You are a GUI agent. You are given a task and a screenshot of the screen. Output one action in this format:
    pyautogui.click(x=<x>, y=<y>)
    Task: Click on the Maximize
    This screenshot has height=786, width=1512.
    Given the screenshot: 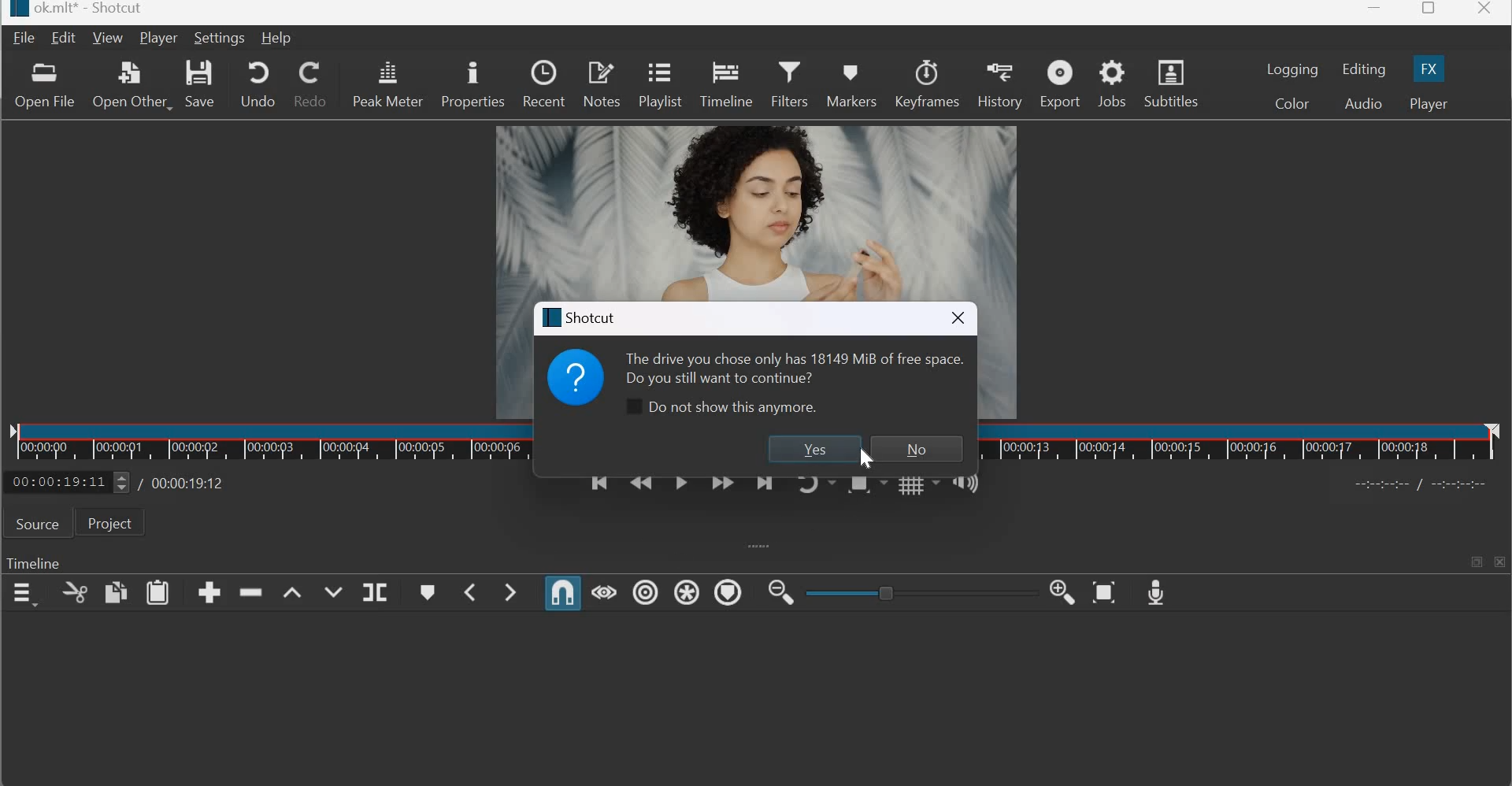 What is the action you would take?
    pyautogui.click(x=1429, y=11)
    